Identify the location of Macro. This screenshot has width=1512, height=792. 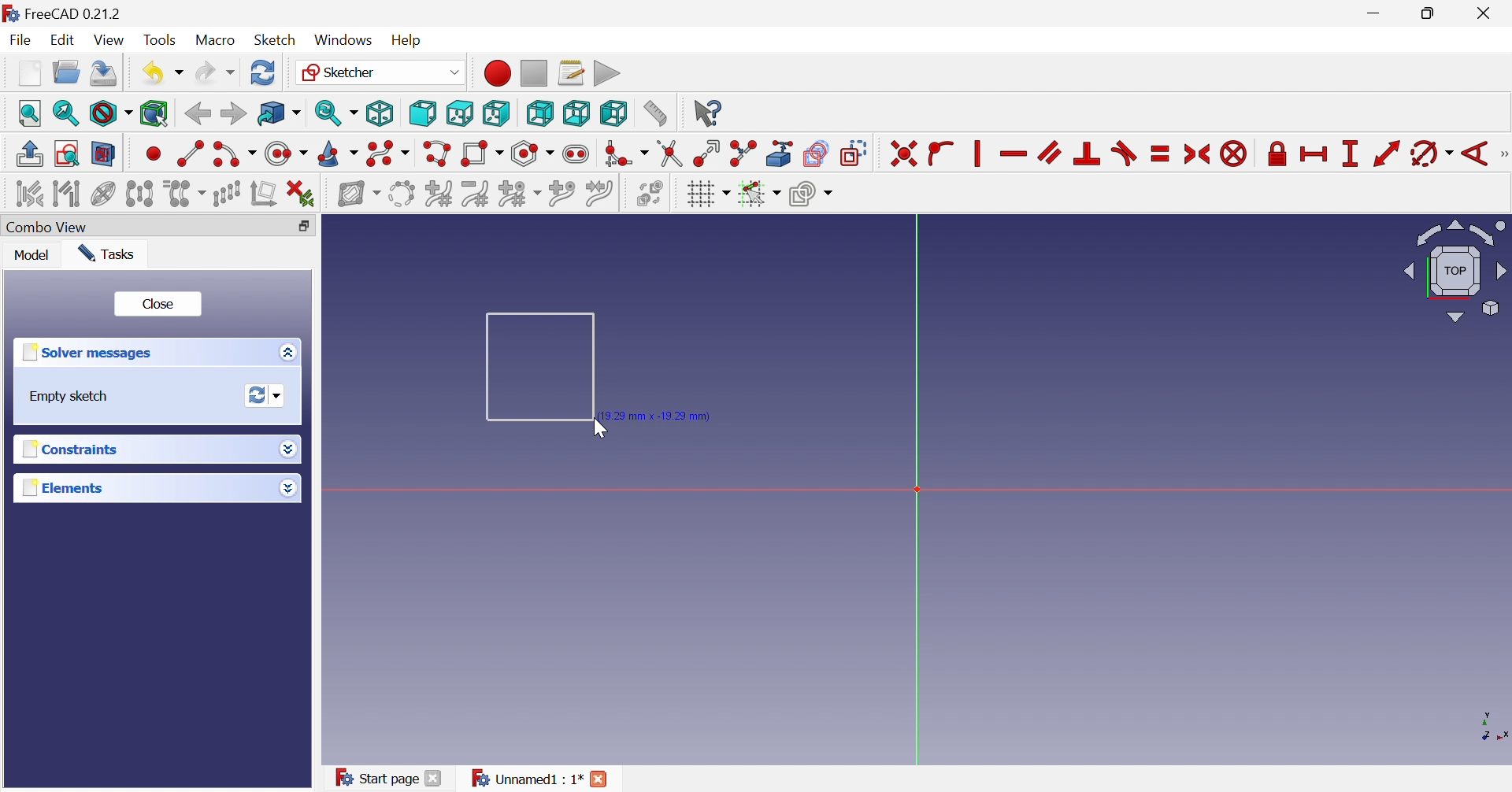
(214, 41).